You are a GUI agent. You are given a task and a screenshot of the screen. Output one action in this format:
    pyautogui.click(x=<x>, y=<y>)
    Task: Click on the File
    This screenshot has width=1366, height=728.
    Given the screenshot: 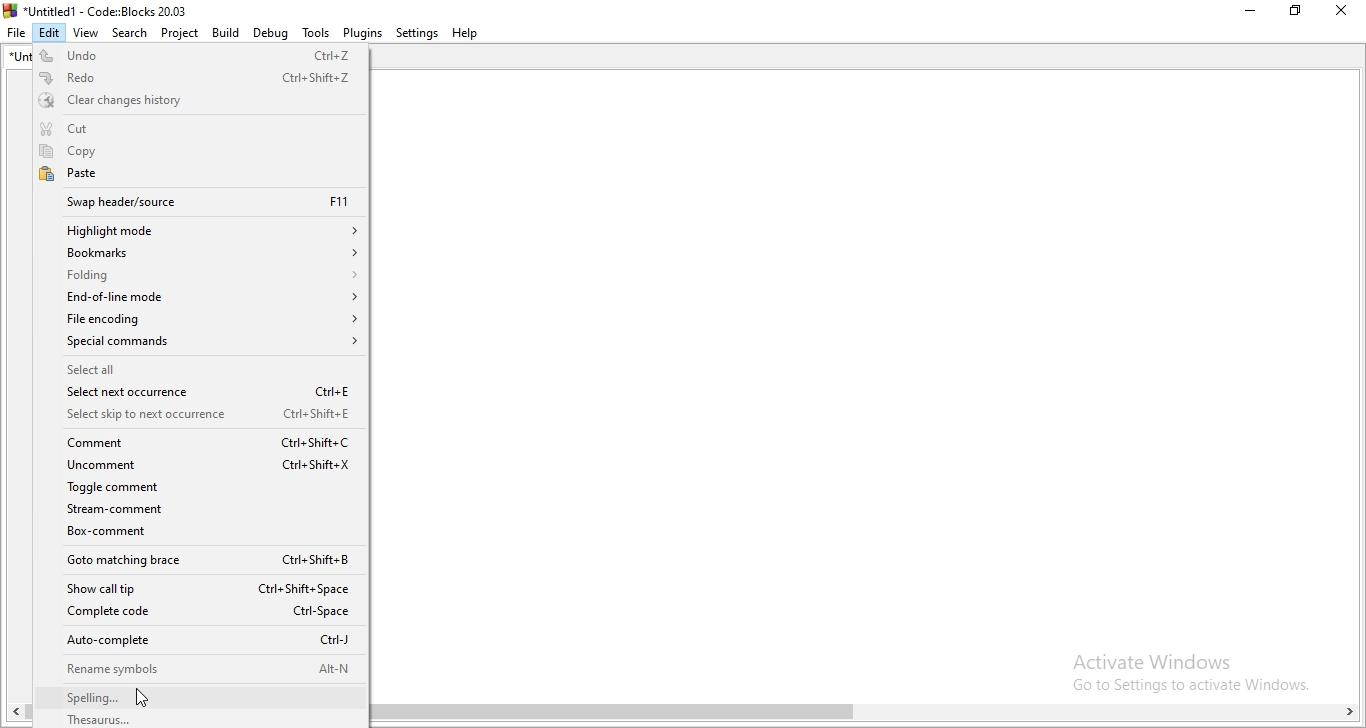 What is the action you would take?
    pyautogui.click(x=15, y=32)
    